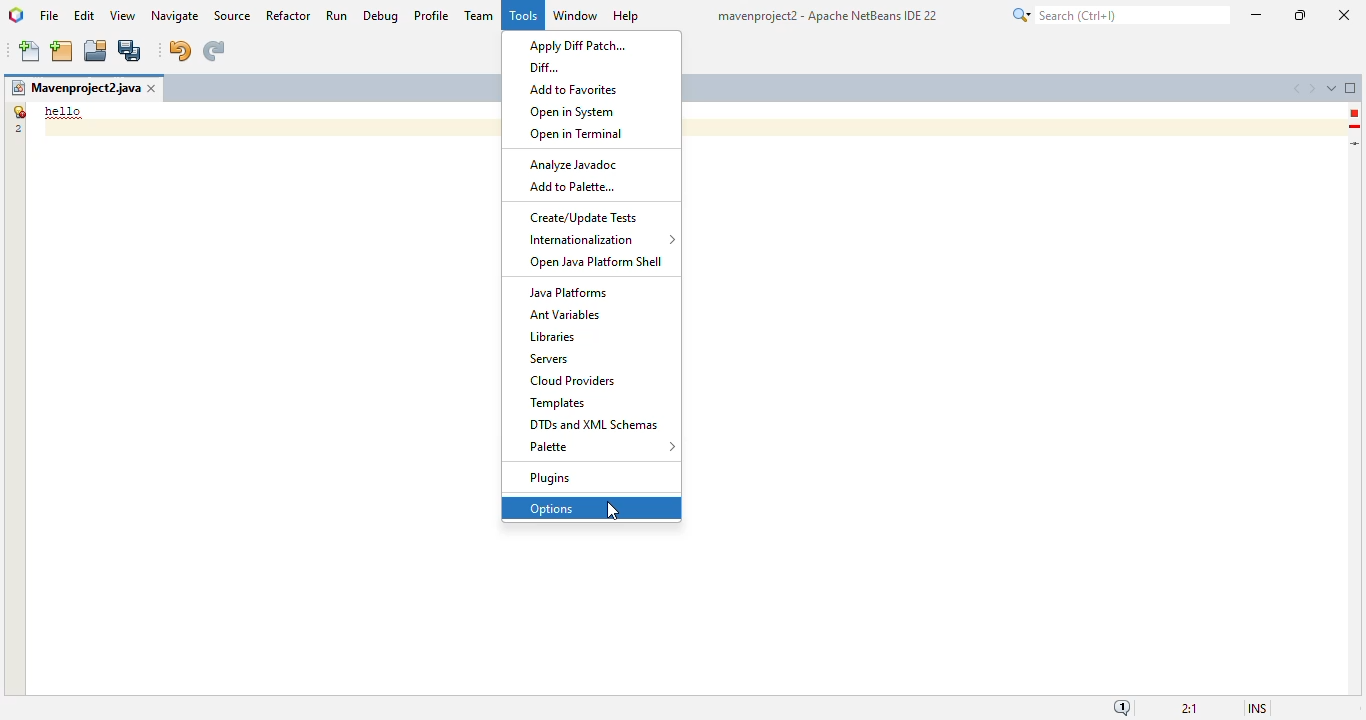 The width and height of the screenshot is (1366, 720). Describe the element at coordinates (31, 51) in the screenshot. I see `new file` at that location.